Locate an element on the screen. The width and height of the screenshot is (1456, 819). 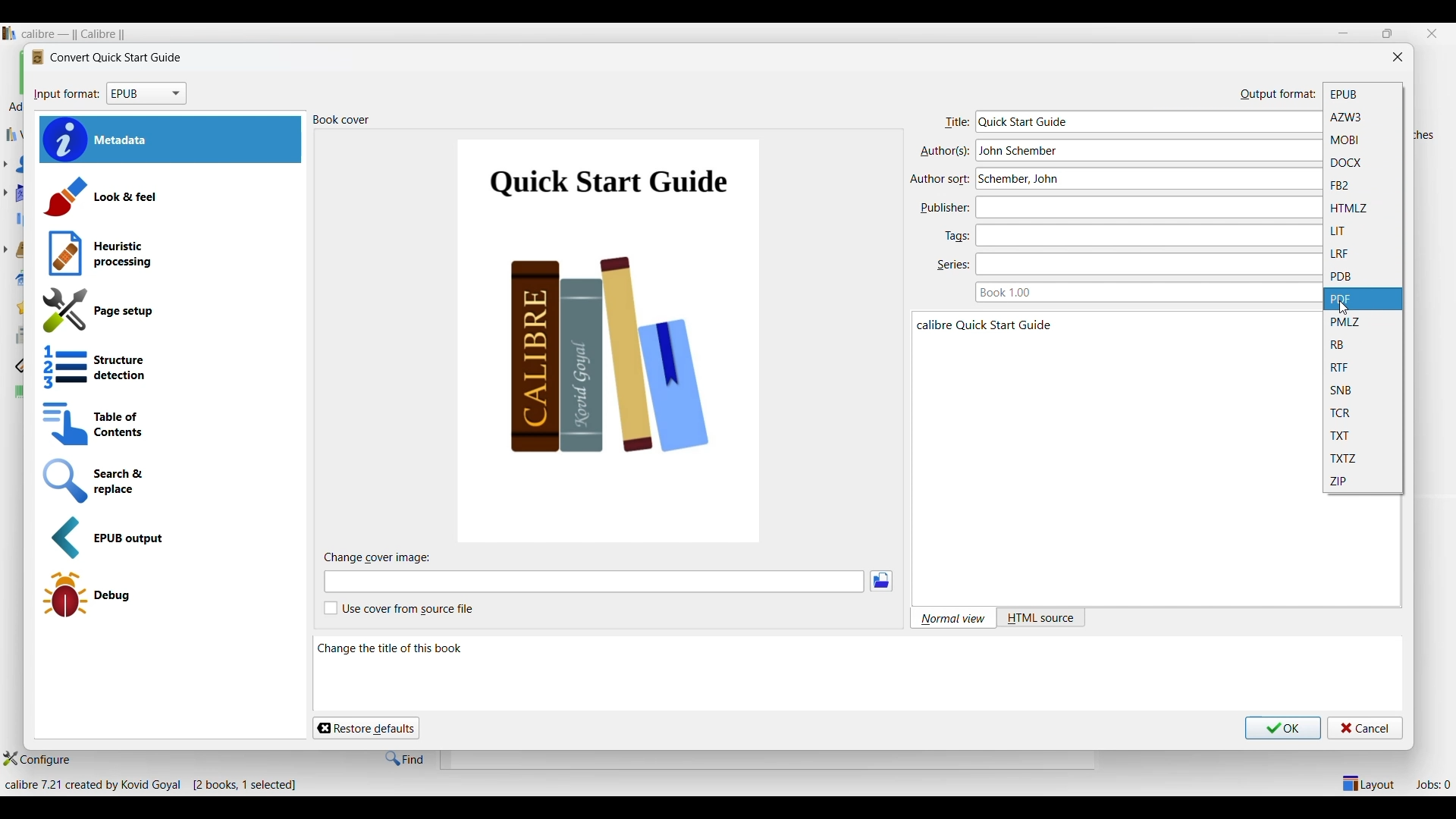
TXTZ is located at coordinates (1363, 459).